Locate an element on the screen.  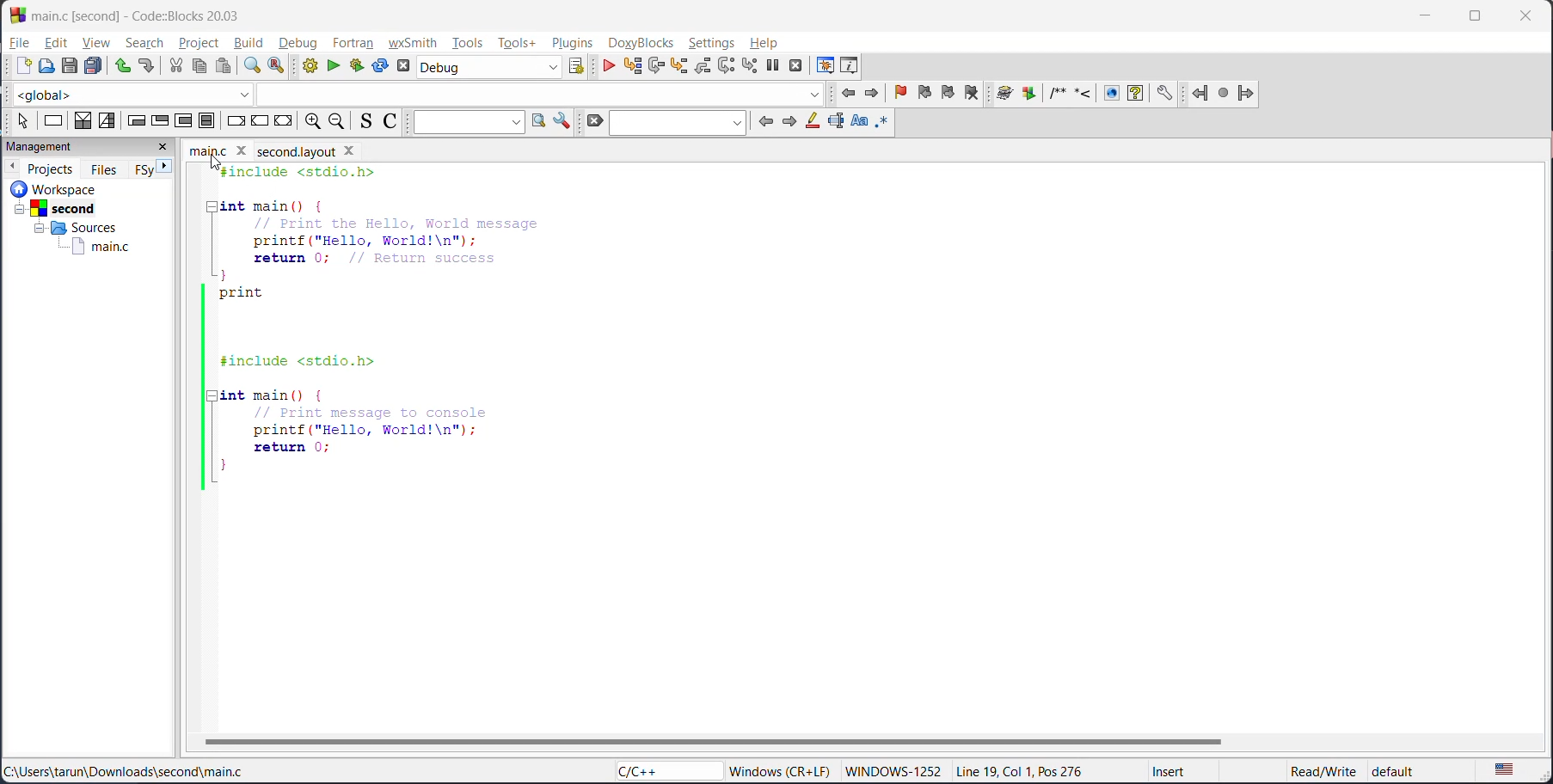
close is located at coordinates (164, 149).